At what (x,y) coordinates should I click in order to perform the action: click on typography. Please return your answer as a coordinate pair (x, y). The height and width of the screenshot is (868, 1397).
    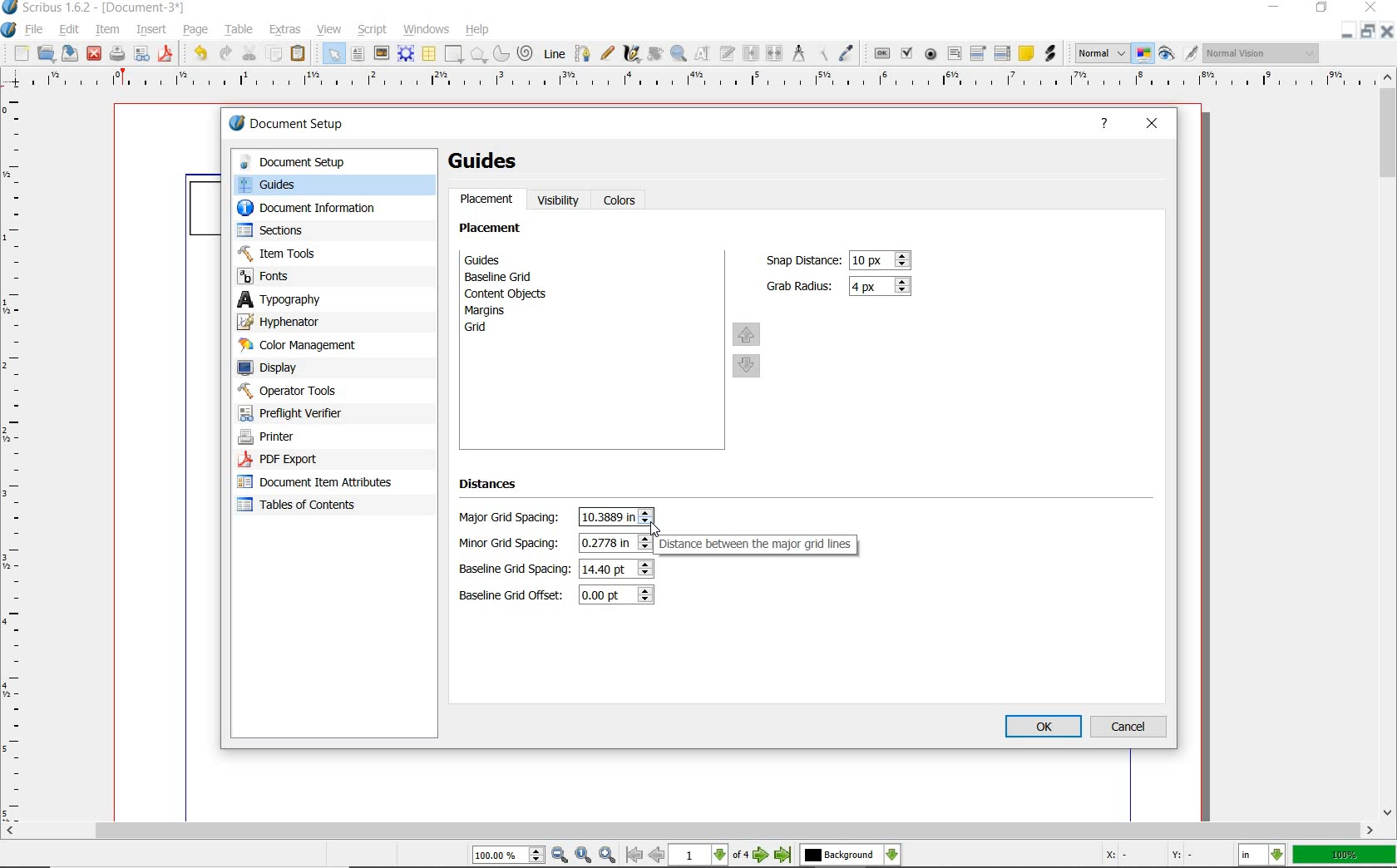
    Looking at the image, I should click on (334, 299).